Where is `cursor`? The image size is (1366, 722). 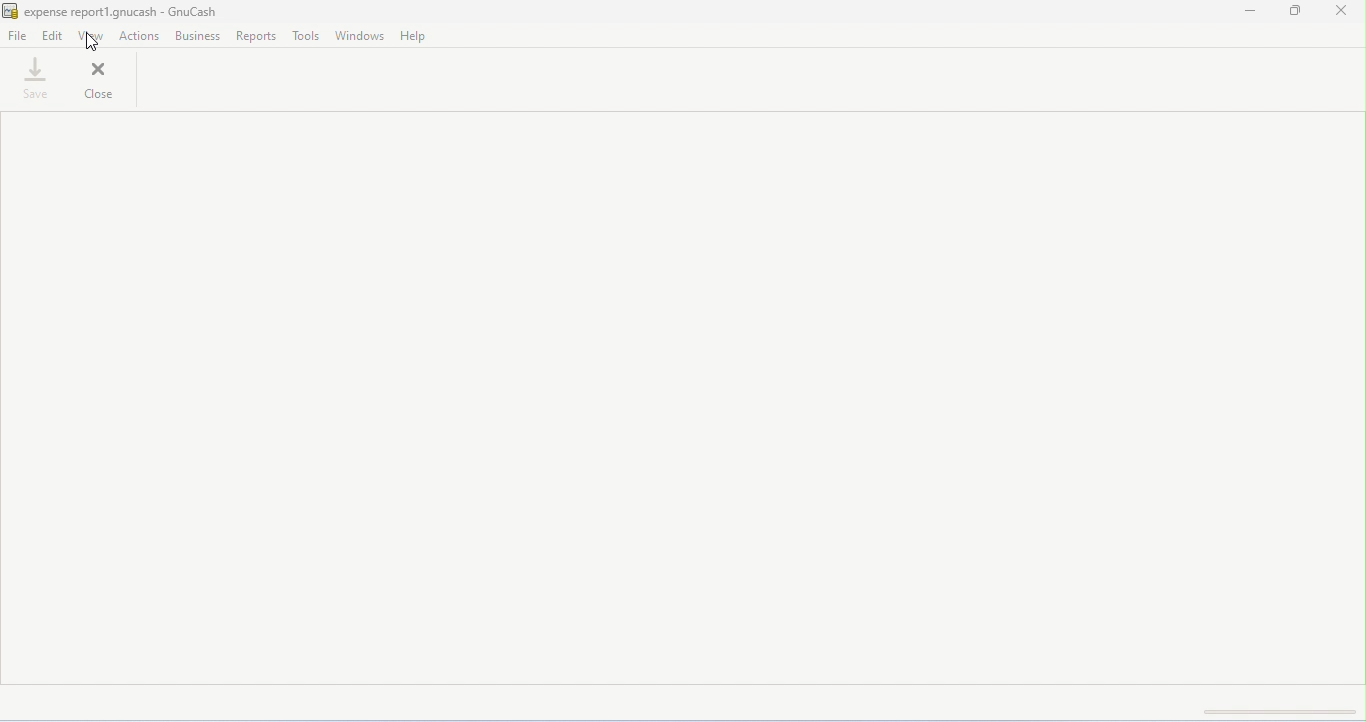 cursor is located at coordinates (92, 42).